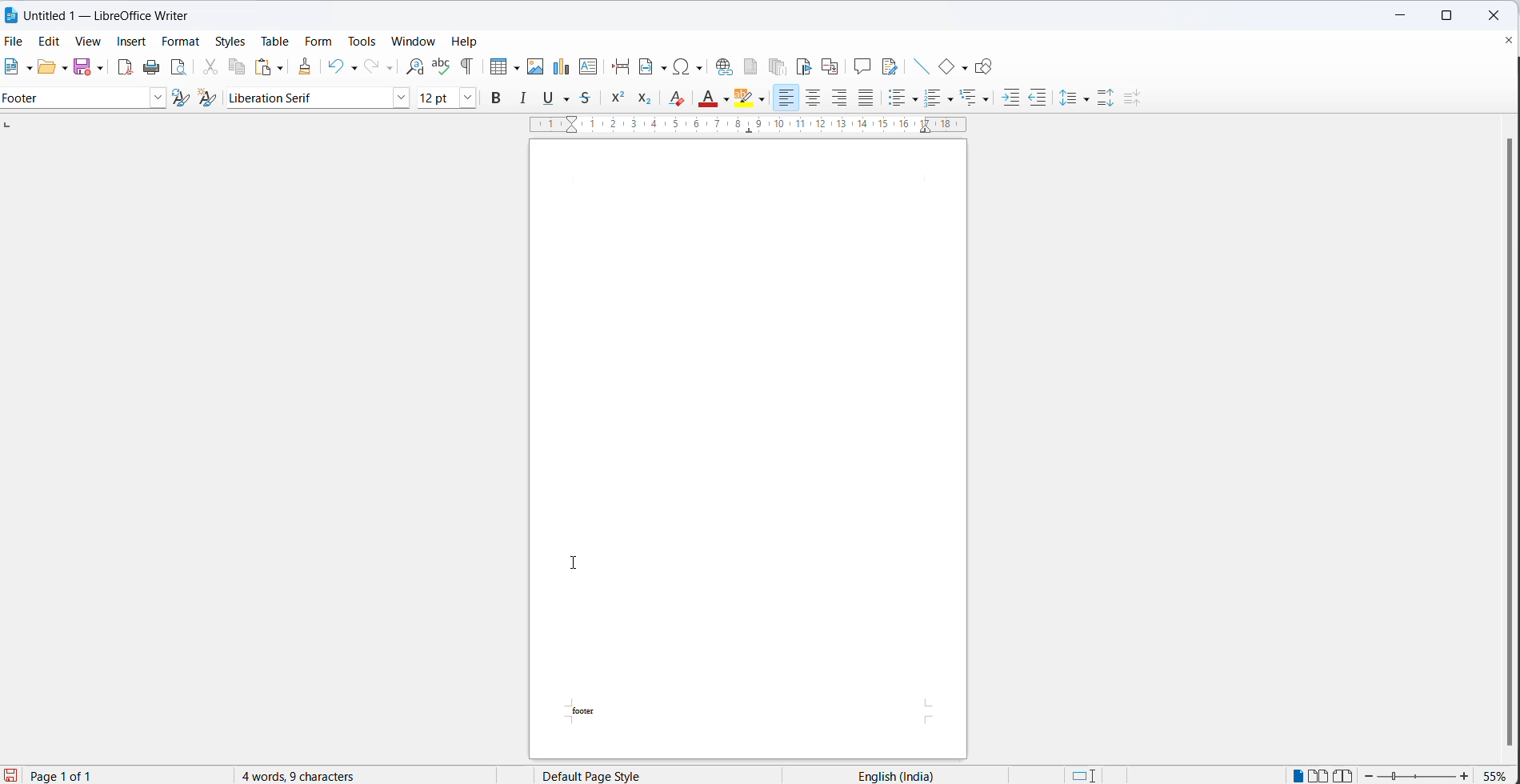 The image size is (1520, 784). I want to click on text align right, so click(840, 98).